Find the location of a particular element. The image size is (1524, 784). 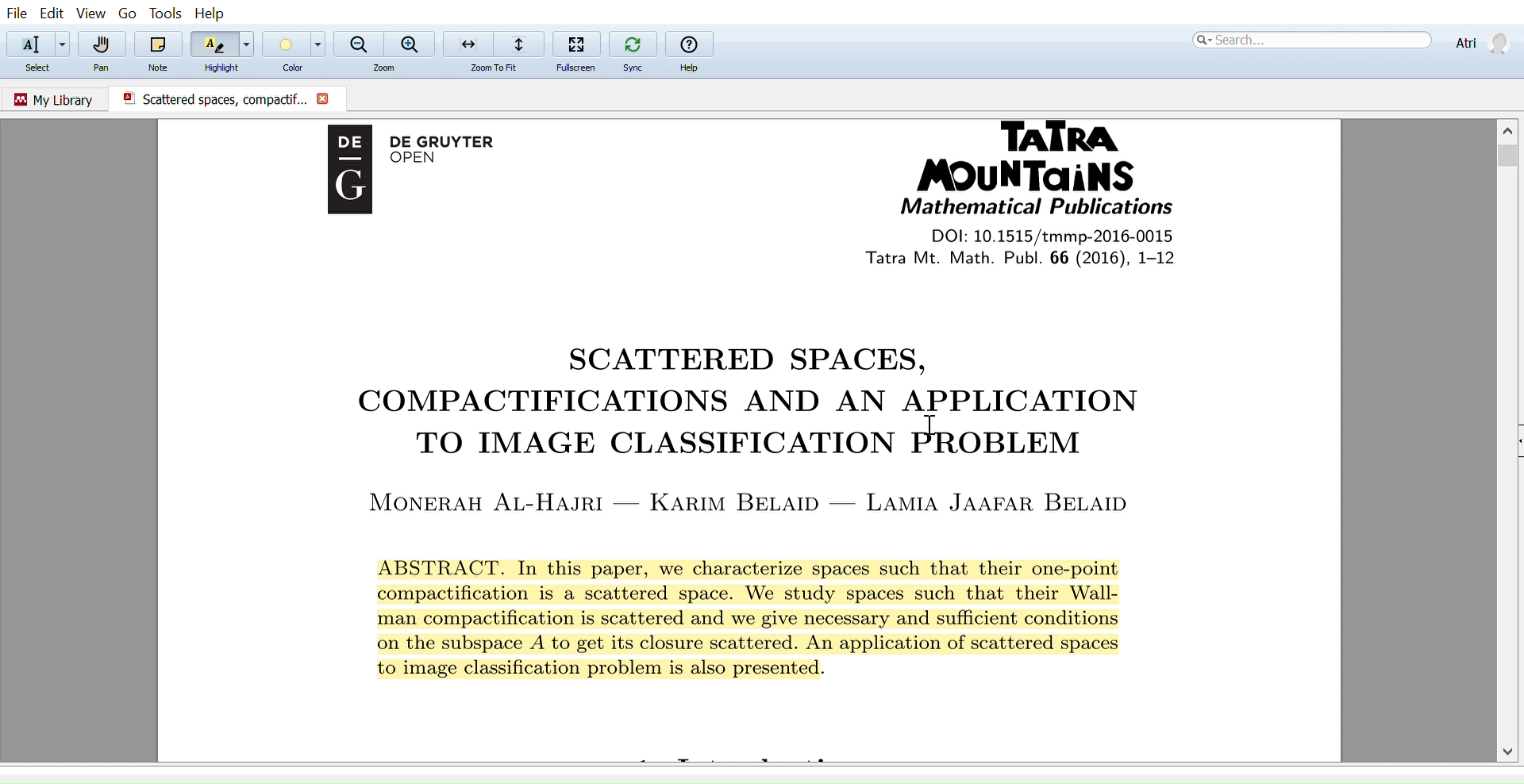

Fullscreen is located at coordinates (572, 68).